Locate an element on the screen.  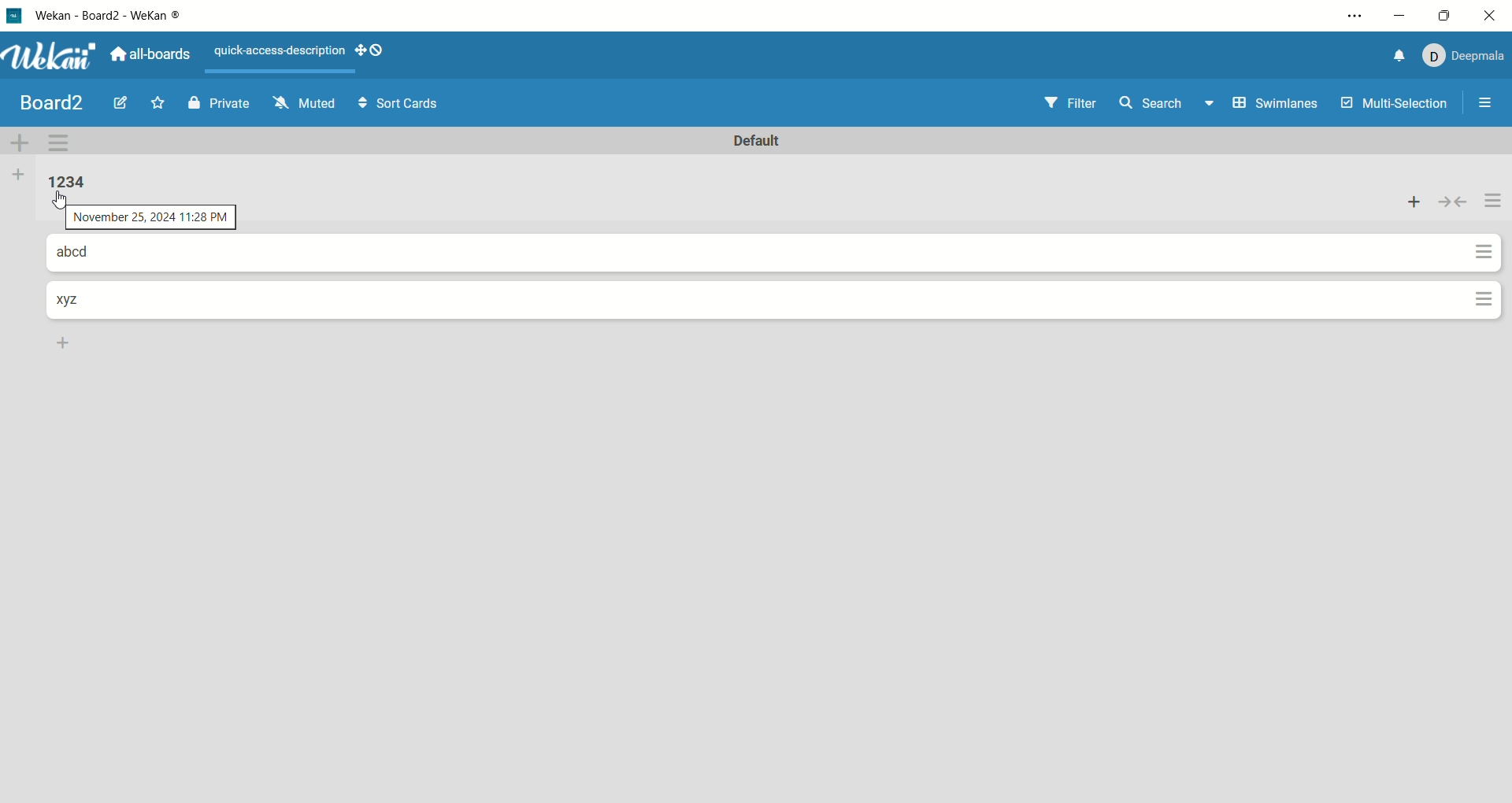
add swimlane is located at coordinates (22, 140).